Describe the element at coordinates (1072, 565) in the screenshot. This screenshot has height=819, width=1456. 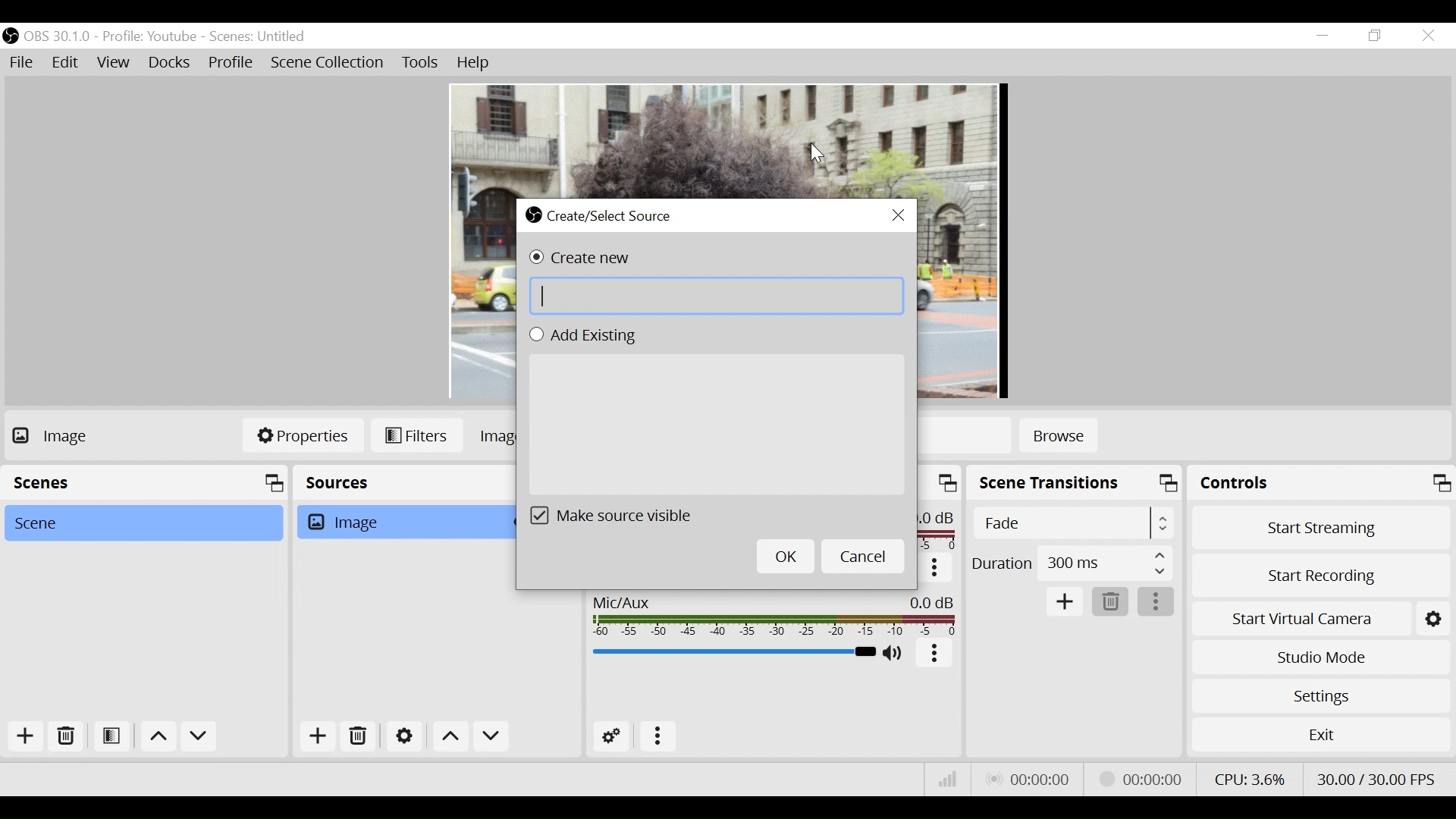
I see `Duration` at that location.